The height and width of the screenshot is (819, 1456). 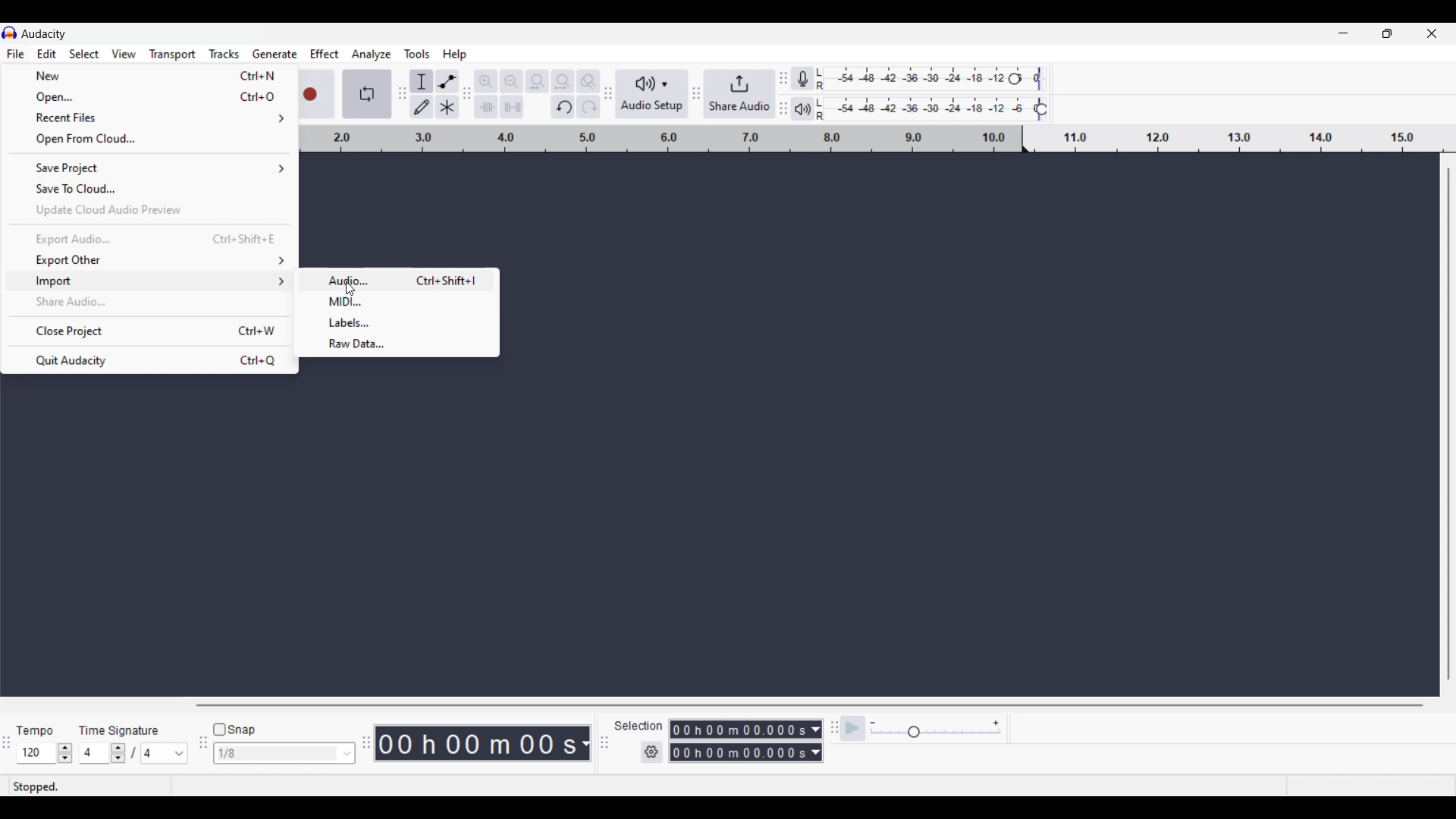 What do you see at coordinates (1432, 33) in the screenshot?
I see `Close interface` at bounding box center [1432, 33].